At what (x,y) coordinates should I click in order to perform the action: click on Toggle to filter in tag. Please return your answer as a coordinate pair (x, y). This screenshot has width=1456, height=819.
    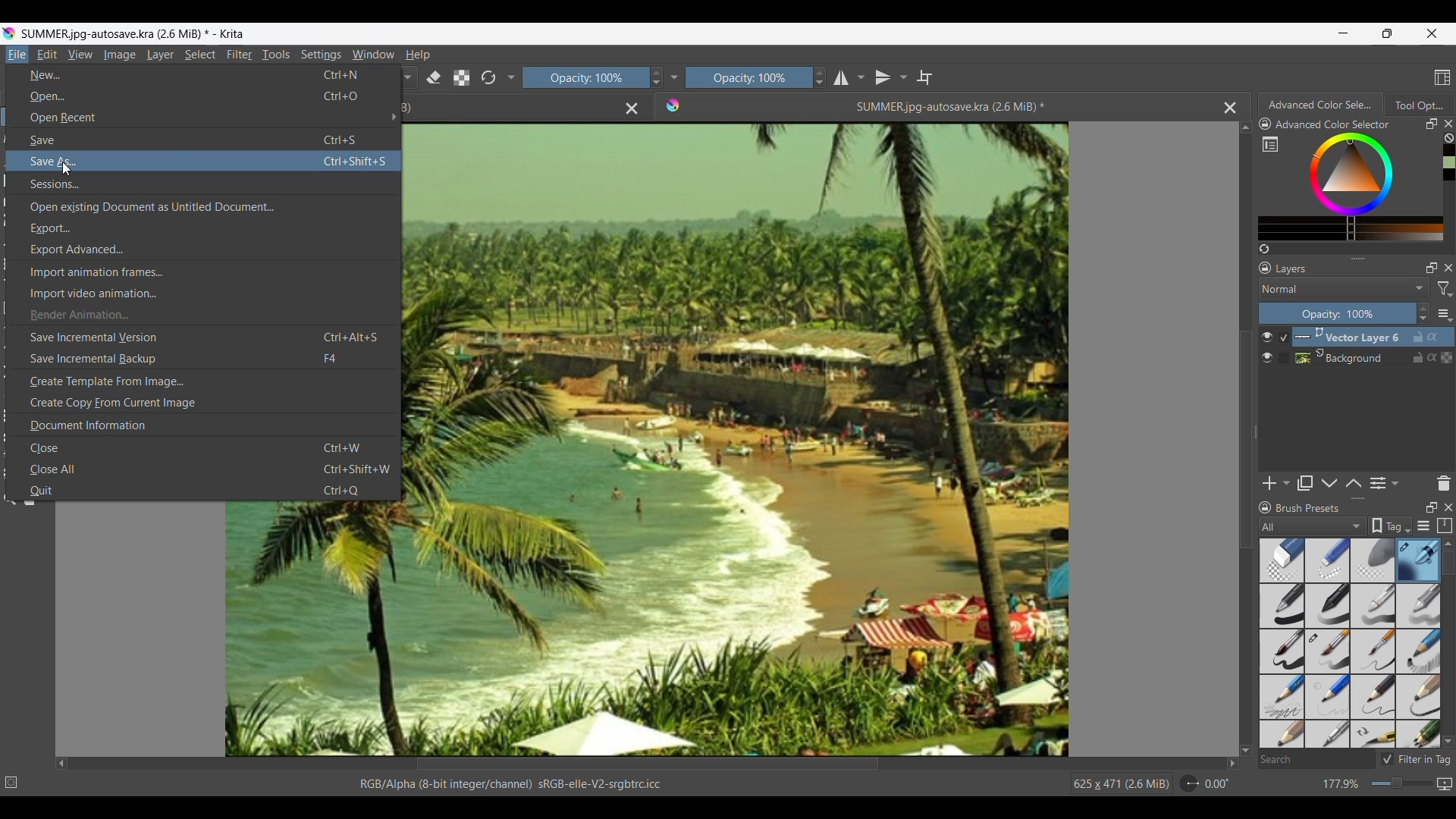
    Looking at the image, I should click on (1416, 759).